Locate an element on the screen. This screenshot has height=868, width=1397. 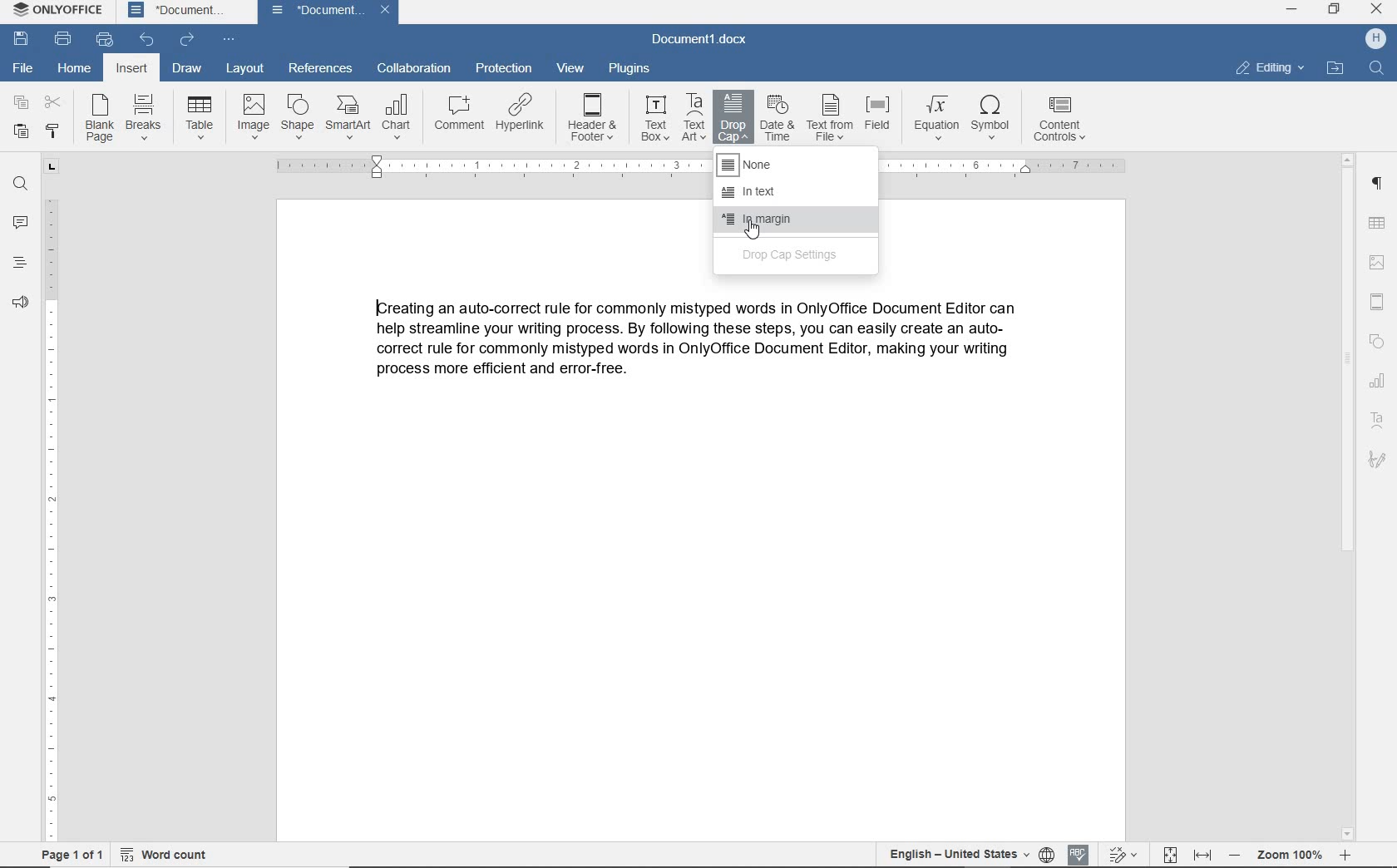
editing is located at coordinates (1269, 68).